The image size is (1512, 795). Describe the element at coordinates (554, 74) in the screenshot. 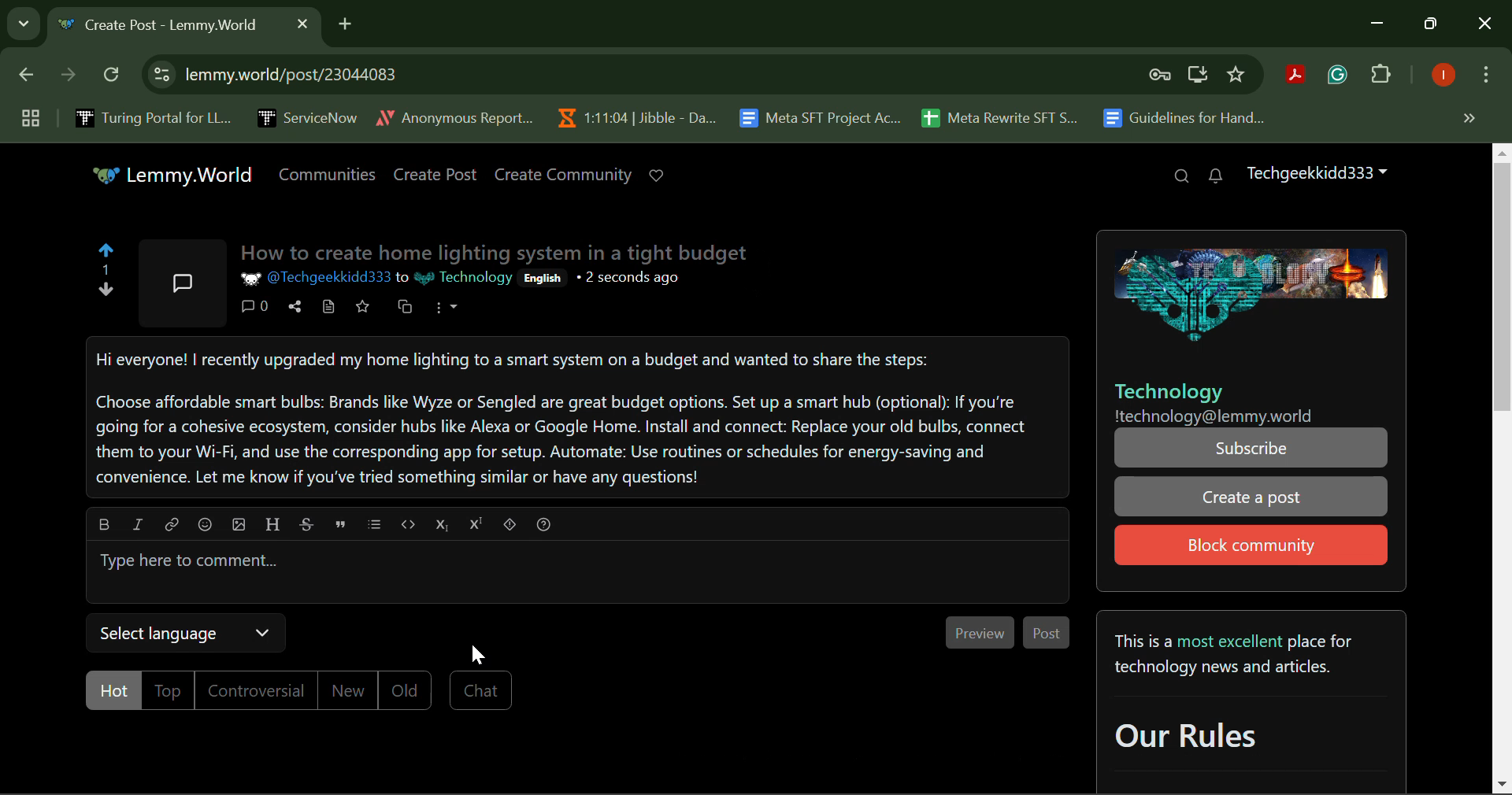

I see `Website Address` at that location.